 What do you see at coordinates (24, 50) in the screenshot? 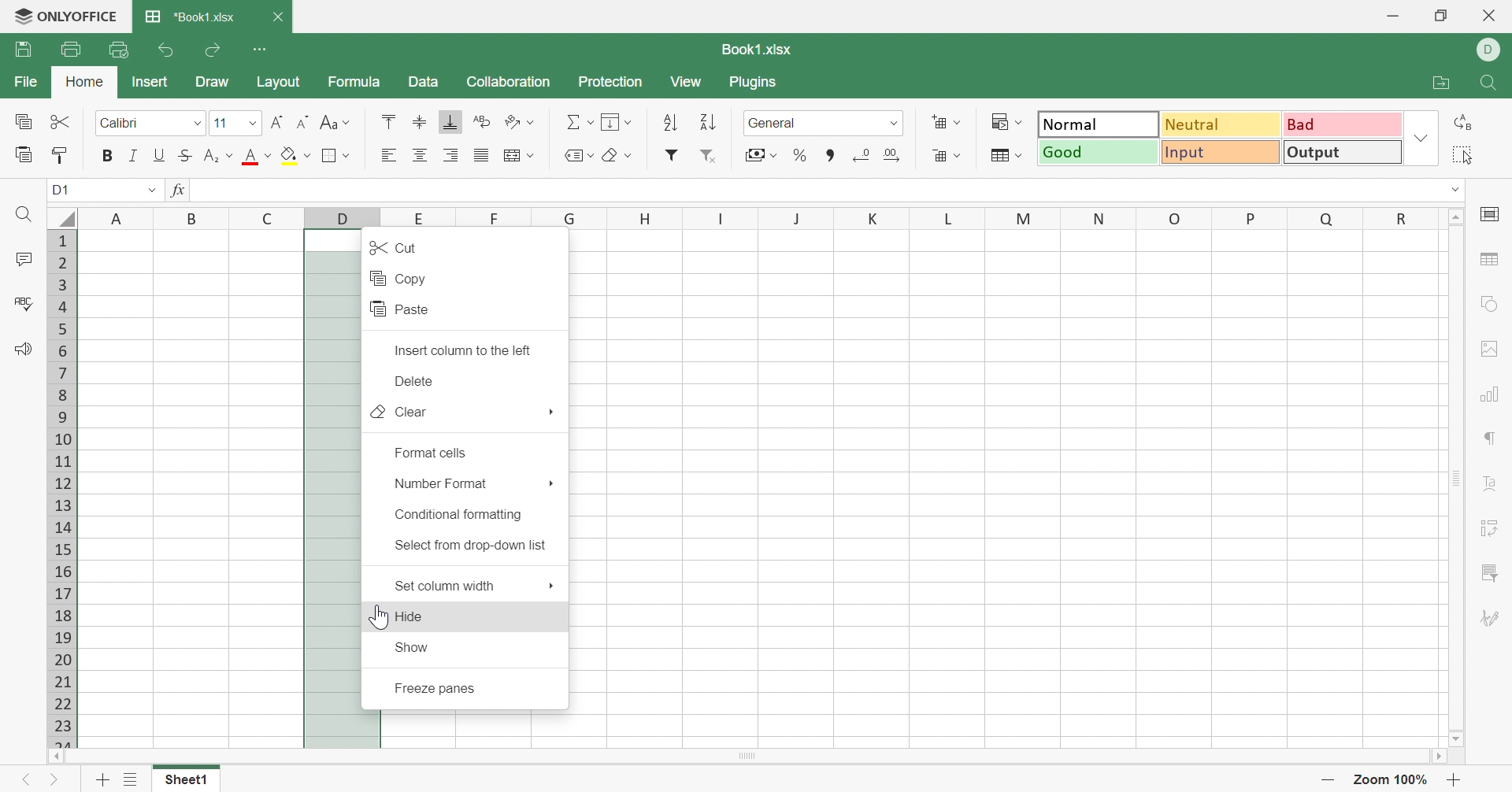
I see `Save` at bounding box center [24, 50].